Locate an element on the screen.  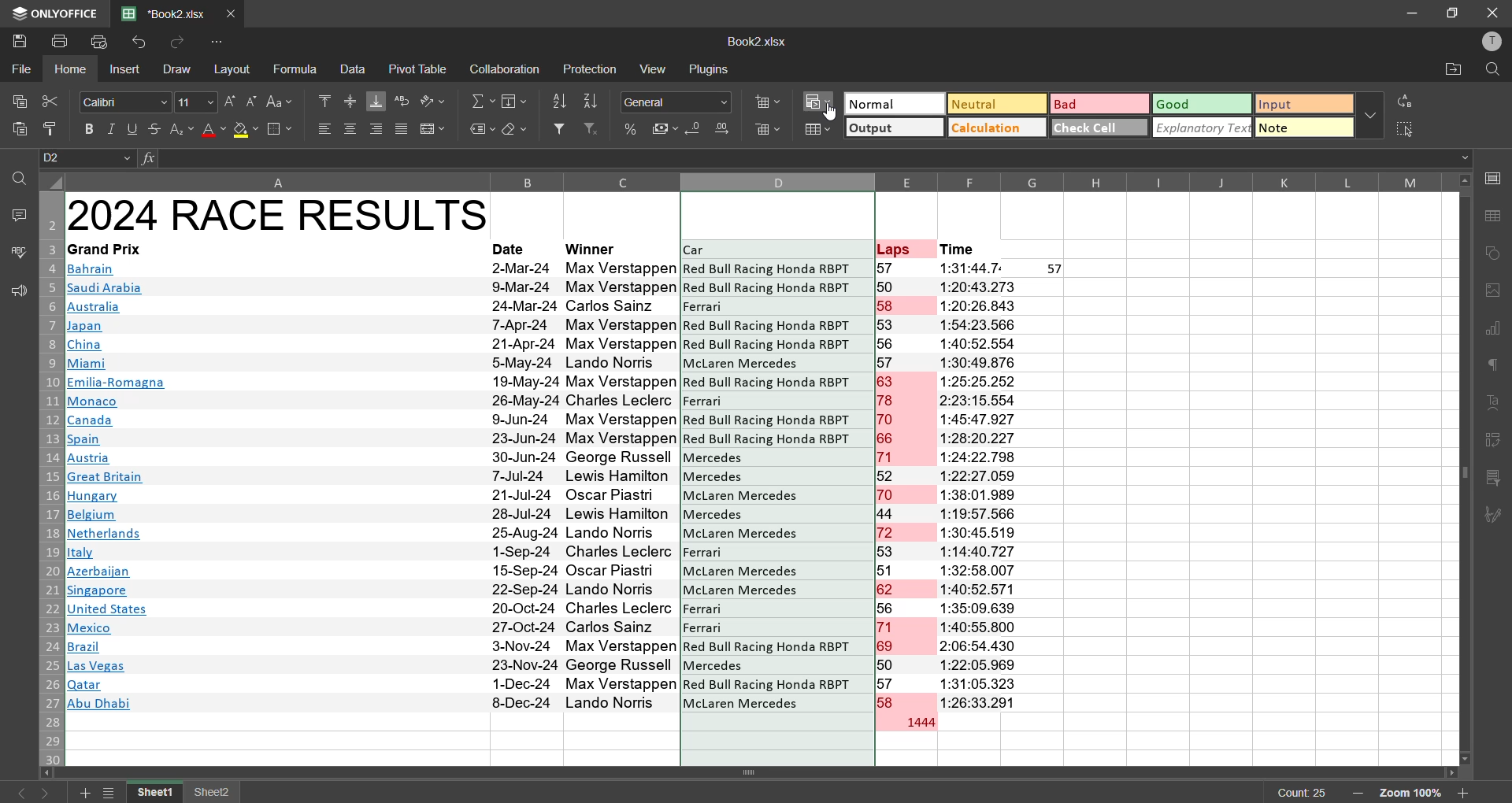
font style is located at coordinates (126, 102).